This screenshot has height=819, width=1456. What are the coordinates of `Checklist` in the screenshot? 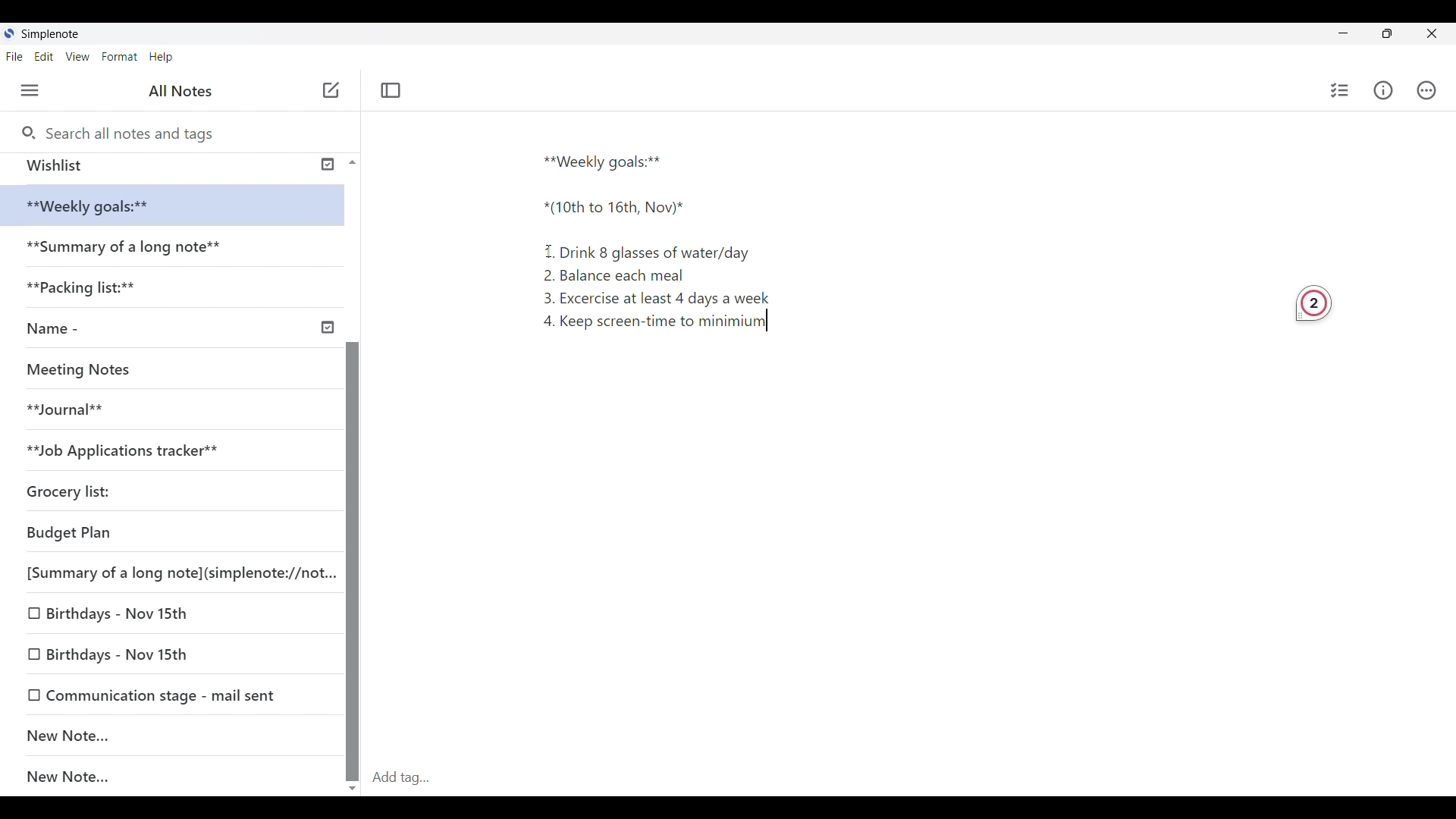 It's located at (1337, 90).